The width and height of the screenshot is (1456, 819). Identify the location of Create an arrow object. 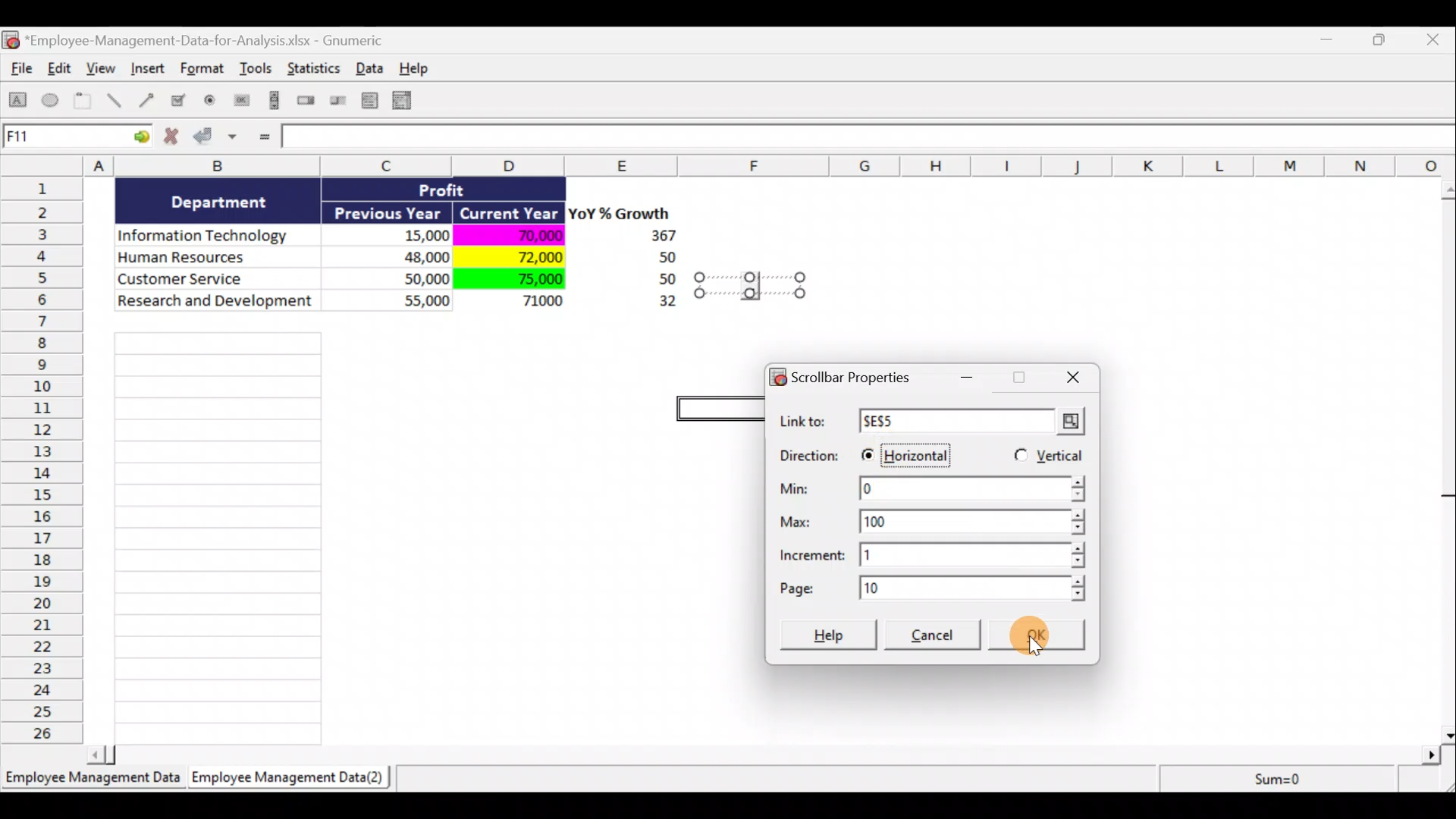
(146, 99).